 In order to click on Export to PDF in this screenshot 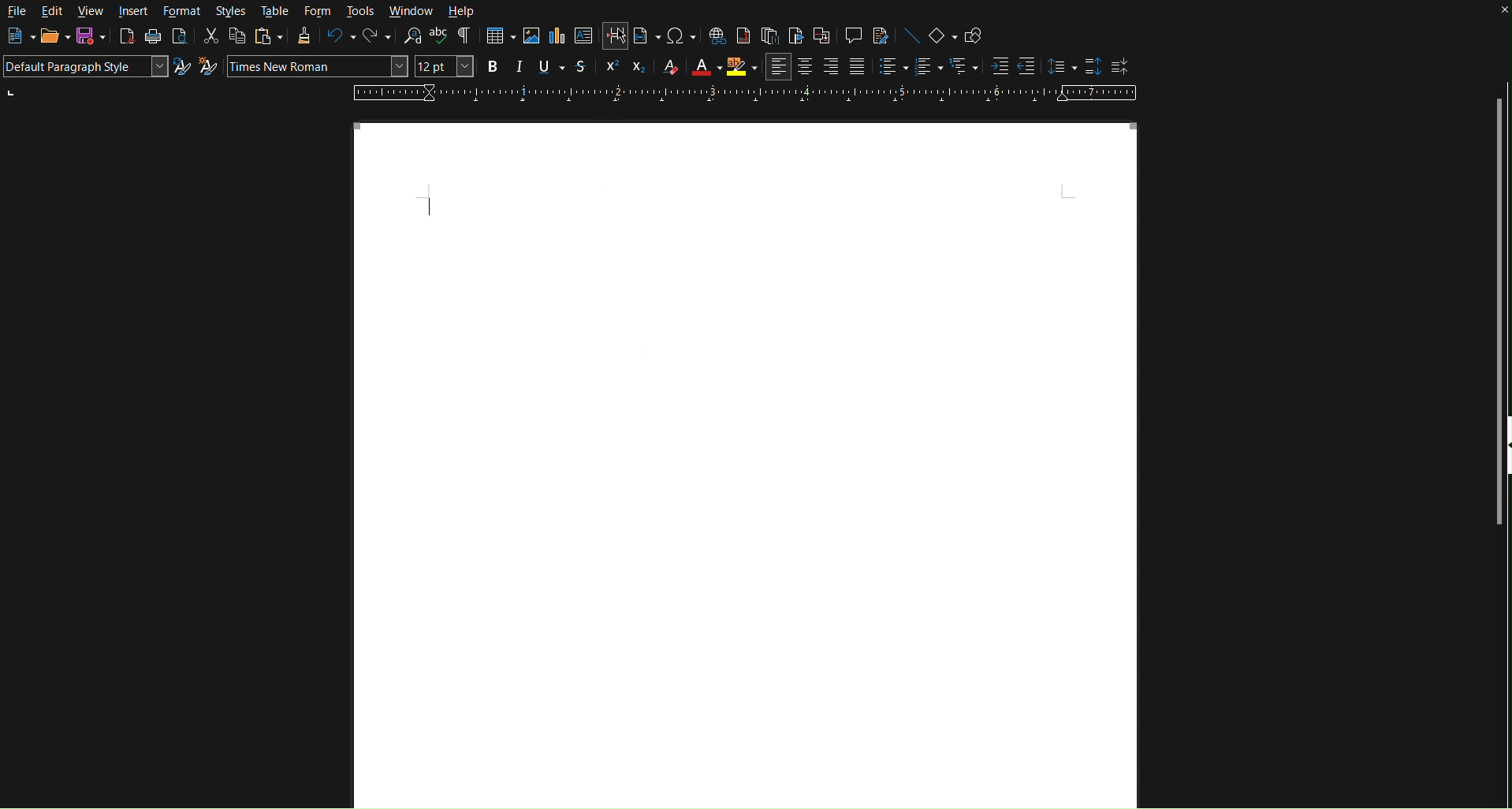, I will do `click(125, 39)`.